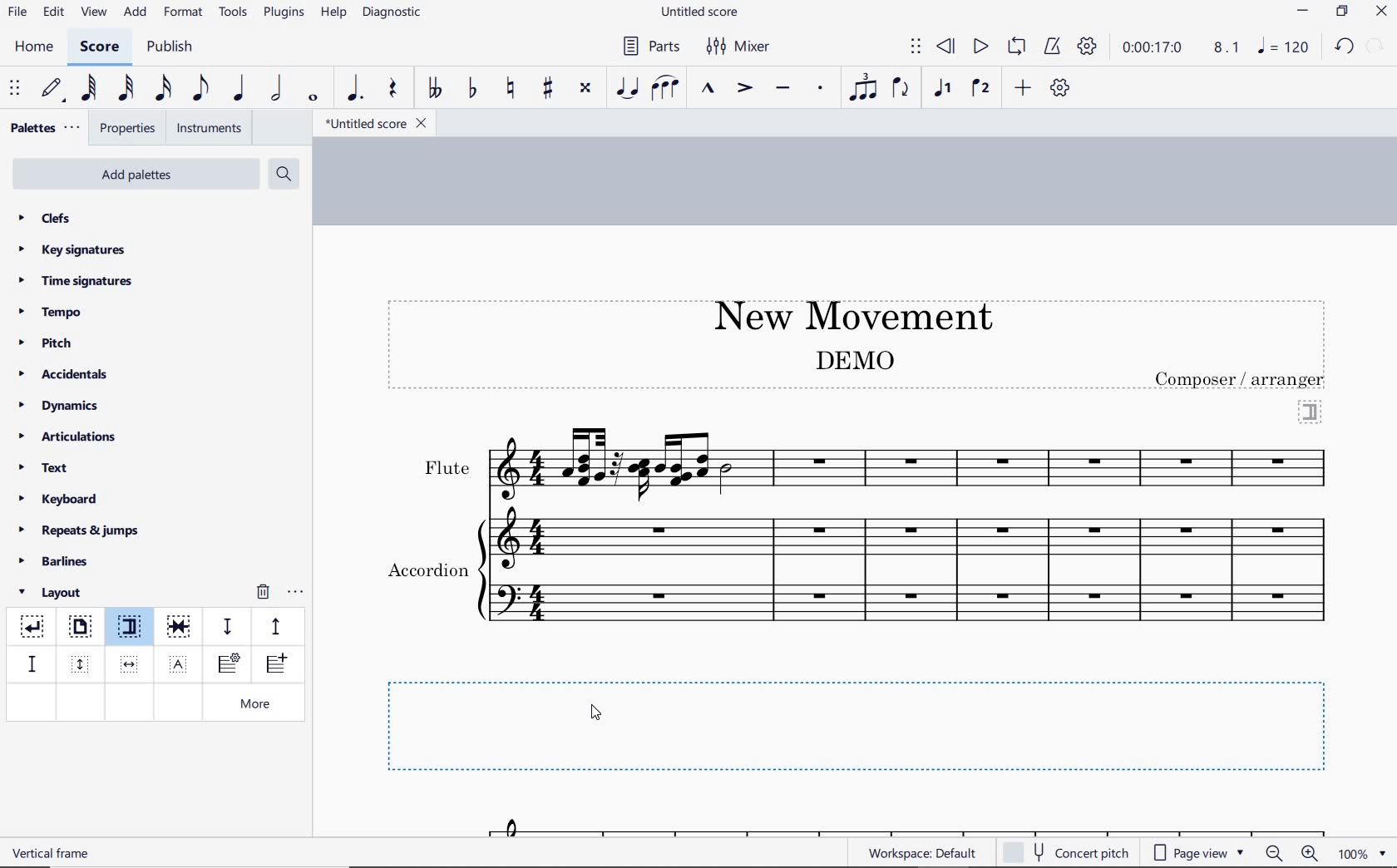 The image size is (1397, 868). What do you see at coordinates (586, 88) in the screenshot?
I see `toggle double-sharp` at bounding box center [586, 88].